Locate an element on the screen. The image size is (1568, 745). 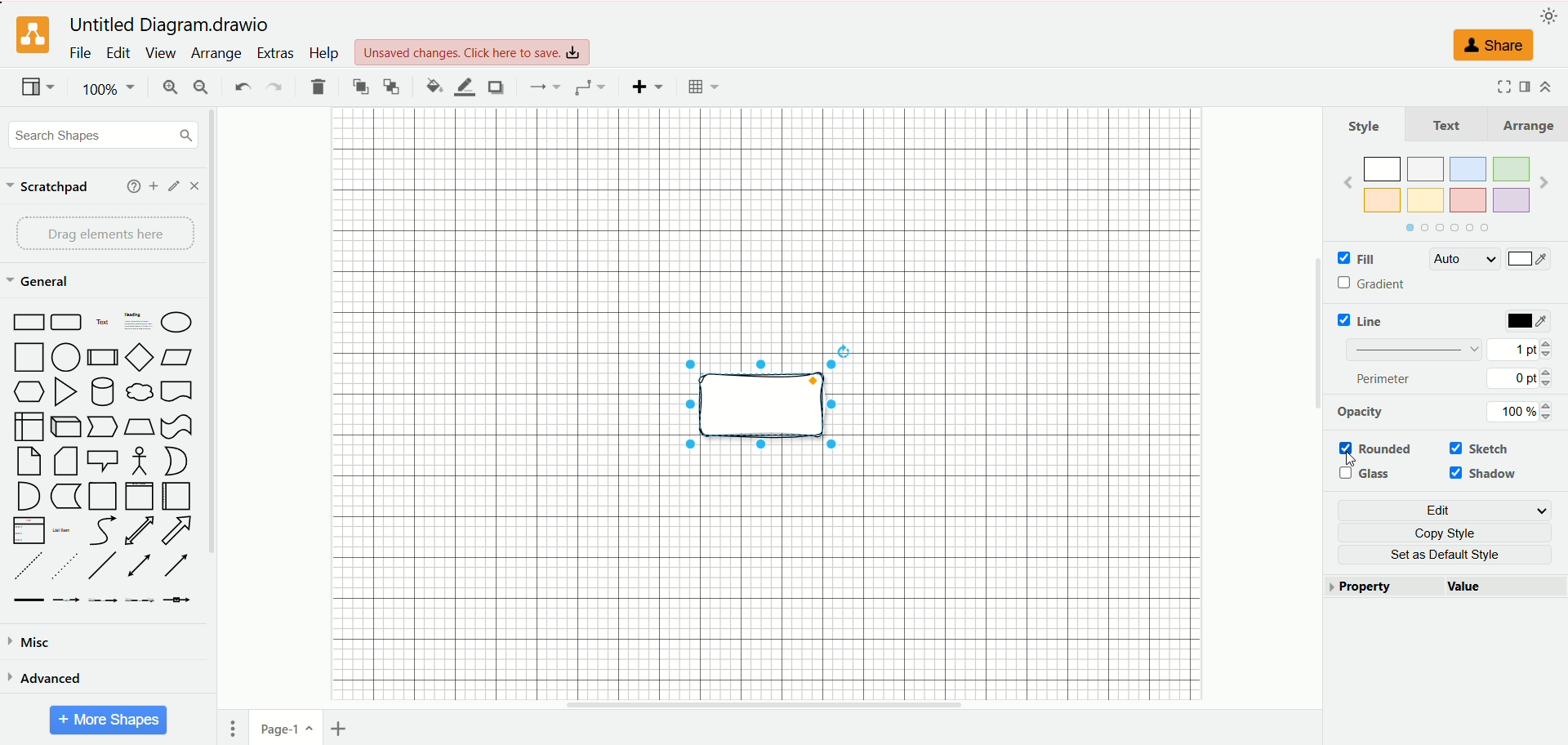
table is located at coordinates (703, 87).